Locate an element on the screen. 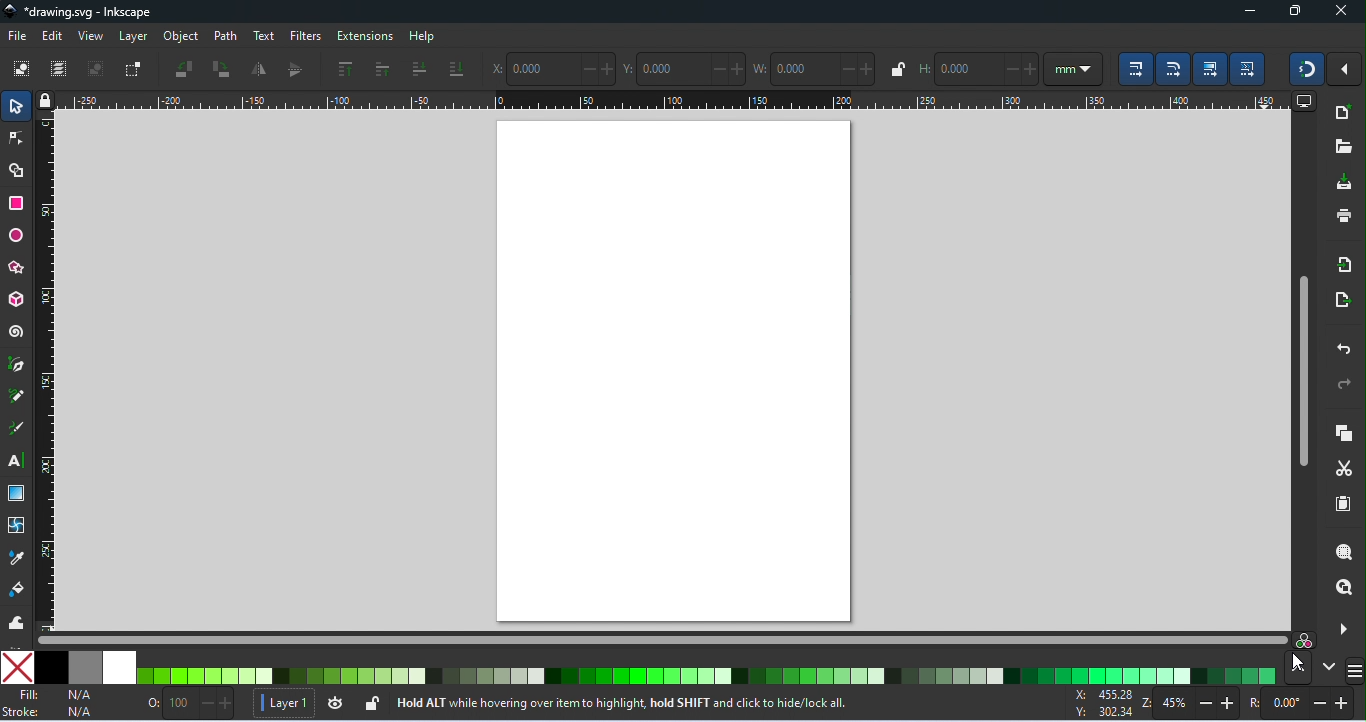  view is located at coordinates (91, 36).